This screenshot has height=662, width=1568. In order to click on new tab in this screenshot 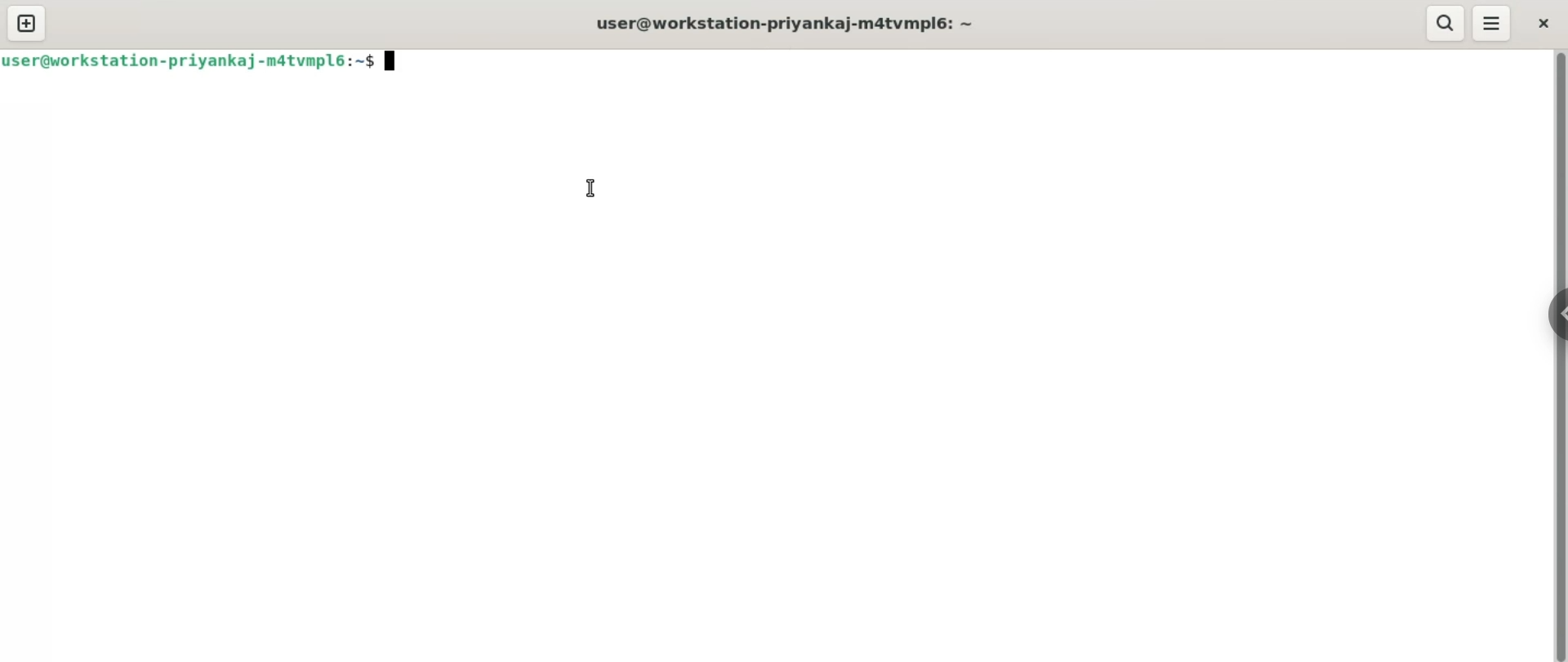, I will do `click(28, 25)`.